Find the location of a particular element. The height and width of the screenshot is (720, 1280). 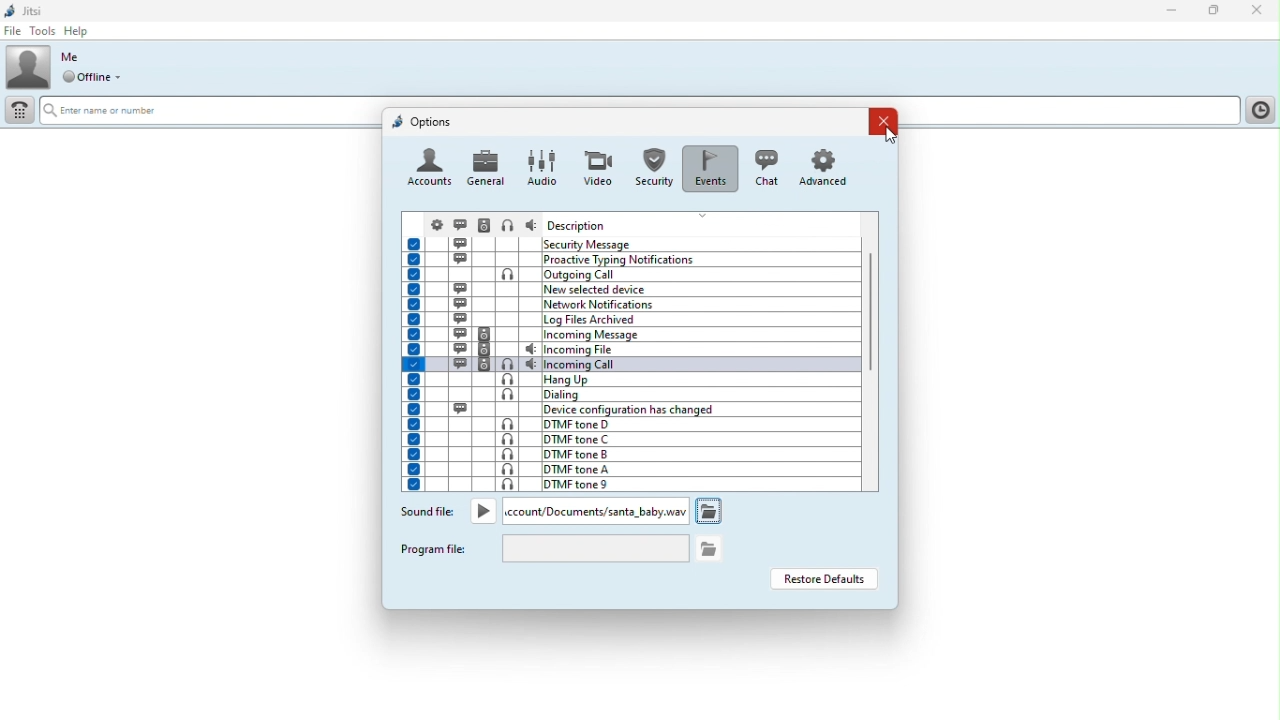

Dial pad is located at coordinates (18, 113).